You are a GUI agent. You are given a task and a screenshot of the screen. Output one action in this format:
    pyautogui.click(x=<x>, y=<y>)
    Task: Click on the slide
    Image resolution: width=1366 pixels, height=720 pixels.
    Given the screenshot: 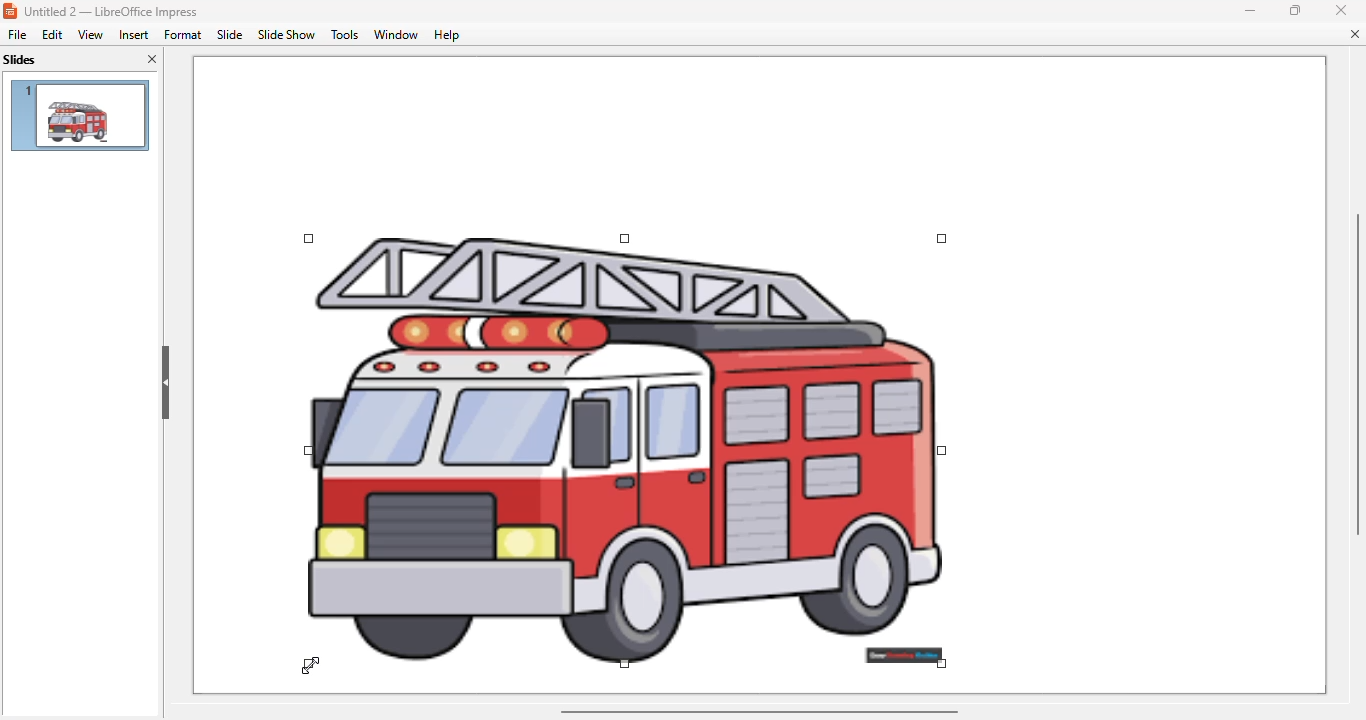 What is the action you would take?
    pyautogui.click(x=231, y=35)
    